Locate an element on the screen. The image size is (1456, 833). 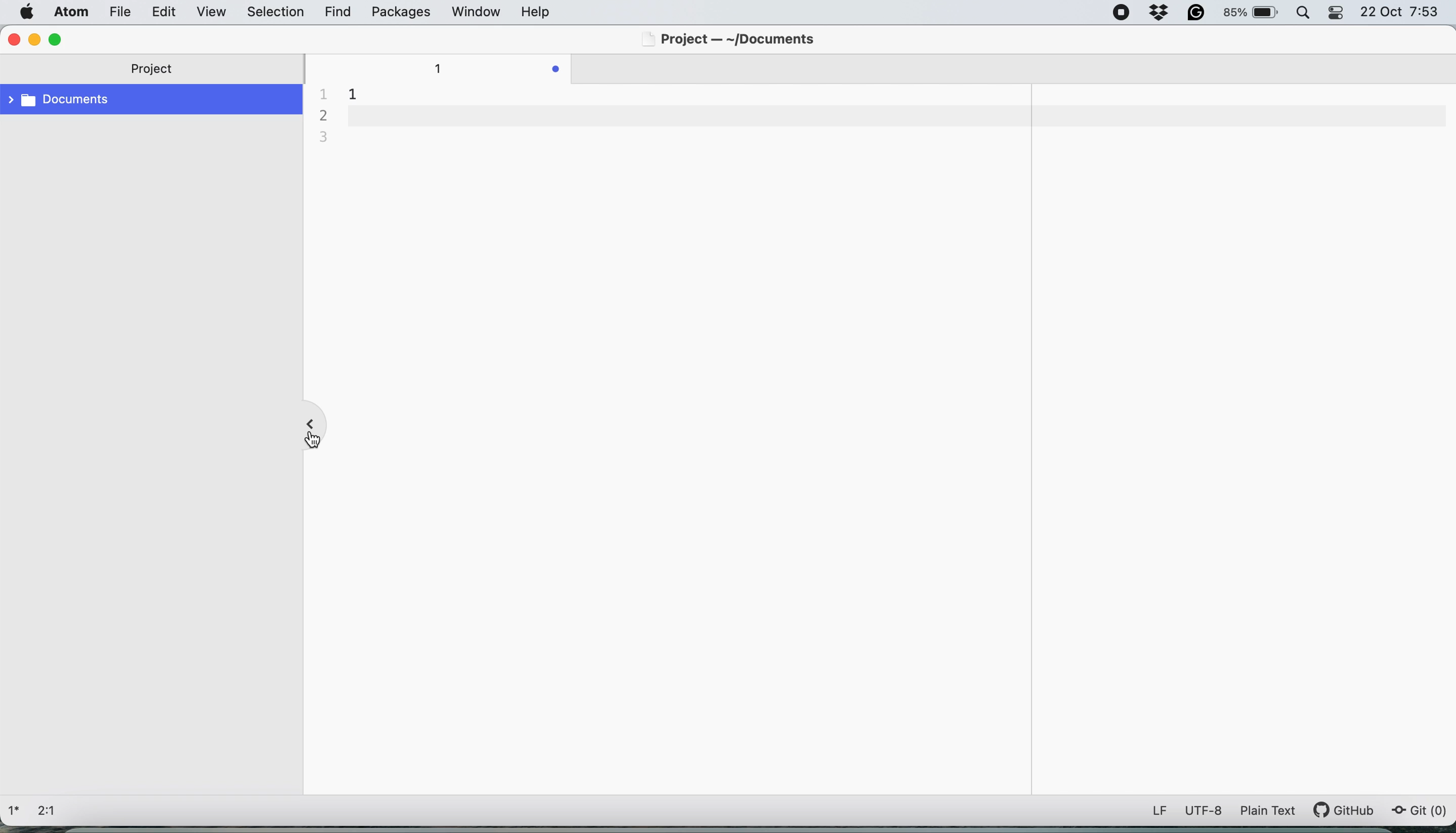
project --/Document is located at coordinates (730, 41).